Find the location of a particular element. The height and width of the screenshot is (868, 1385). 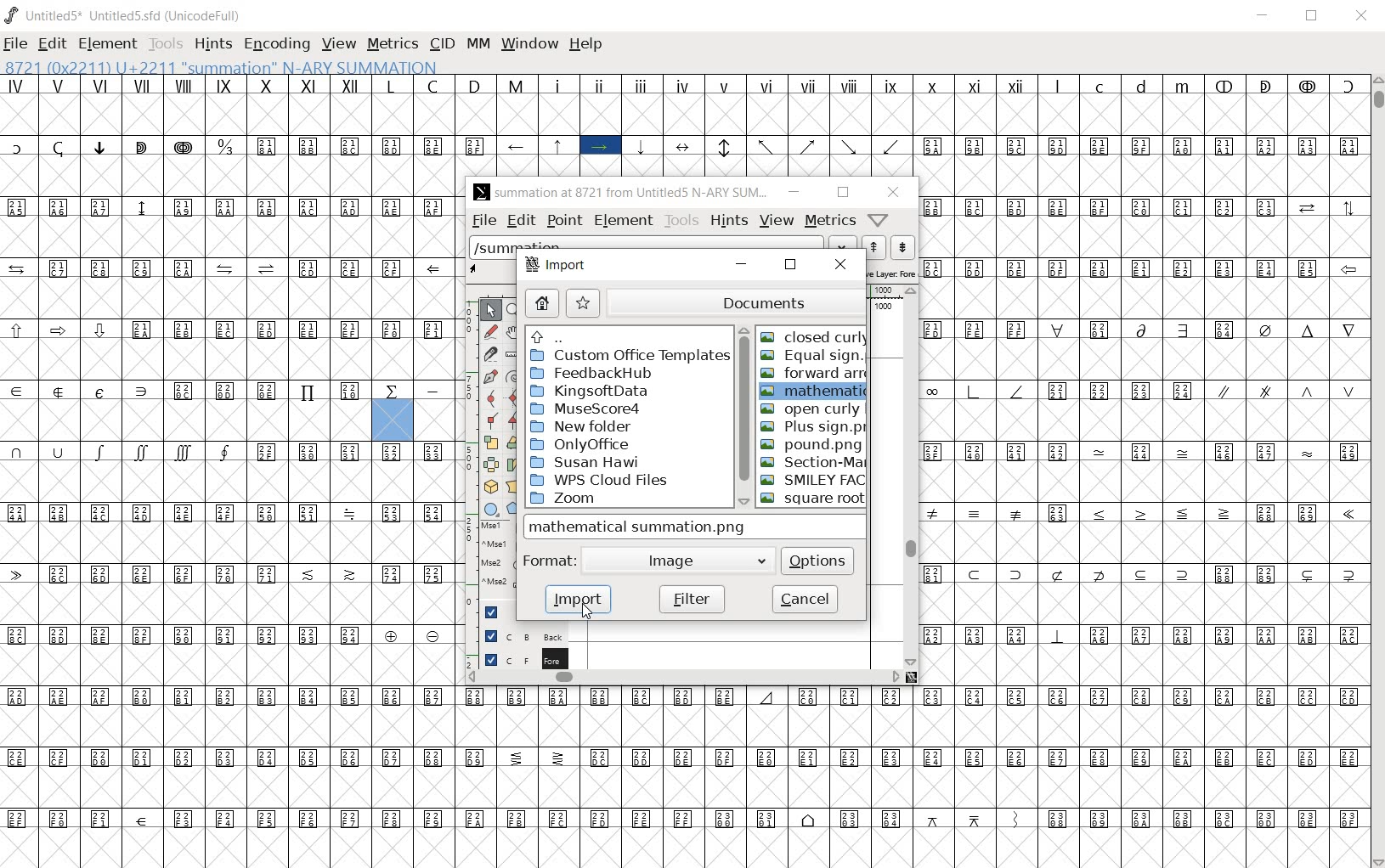

glyph characters is located at coordinates (913, 779).